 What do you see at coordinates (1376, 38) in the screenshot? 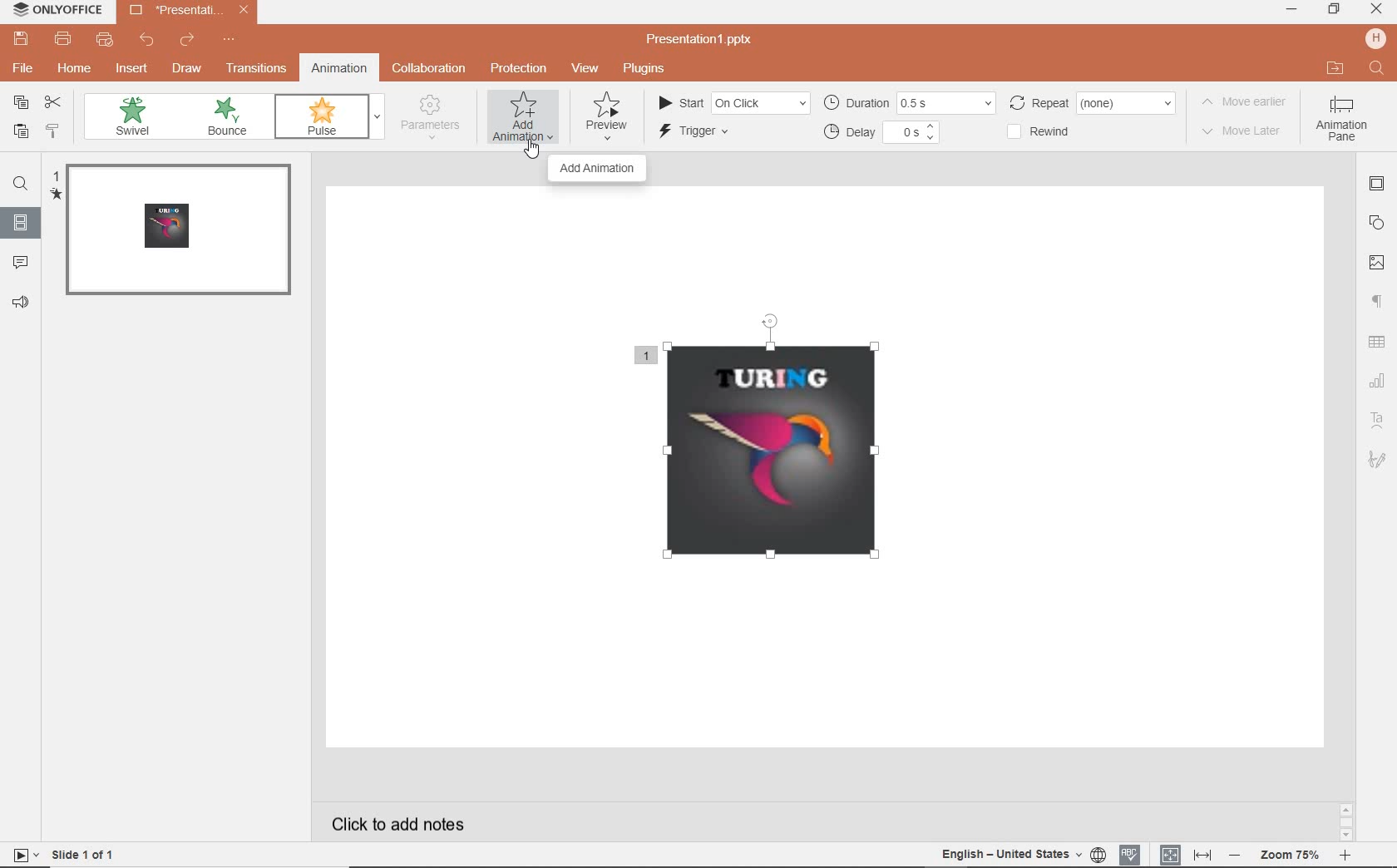
I see `hp` at bounding box center [1376, 38].